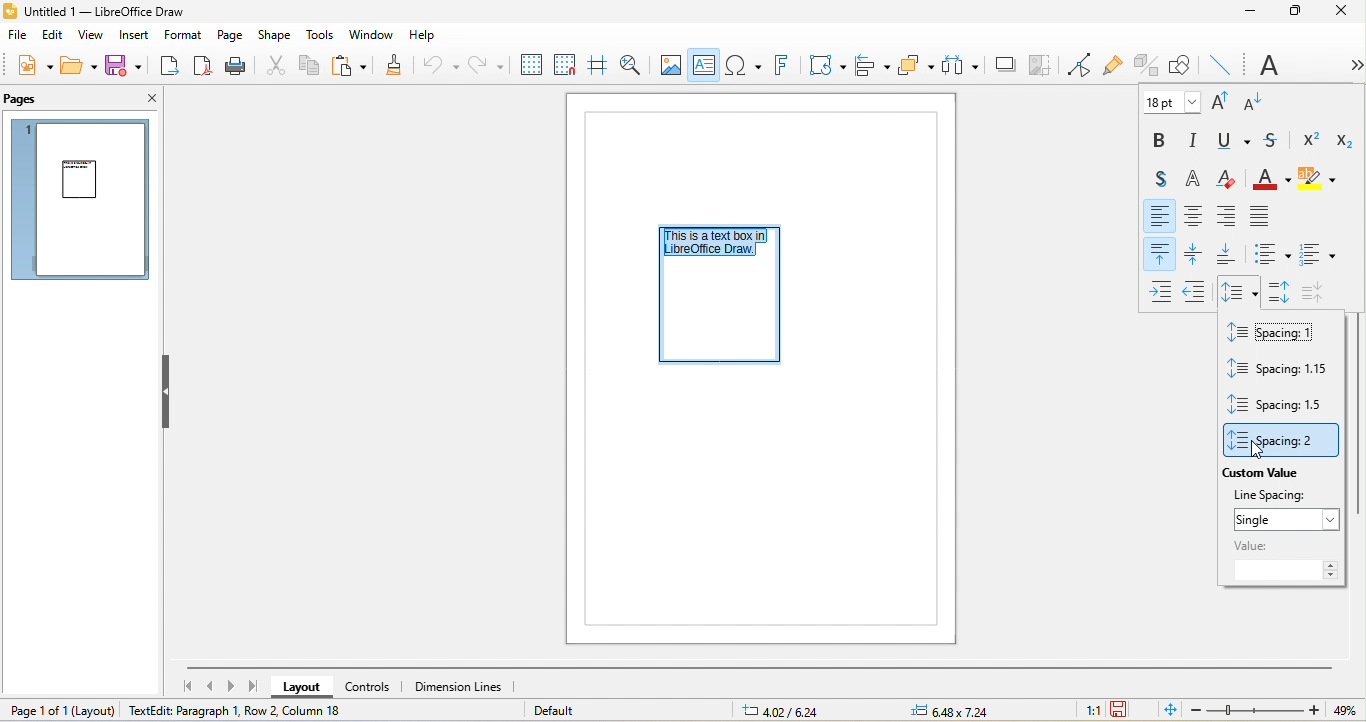  Describe the element at coordinates (915, 65) in the screenshot. I see `arrange` at that location.